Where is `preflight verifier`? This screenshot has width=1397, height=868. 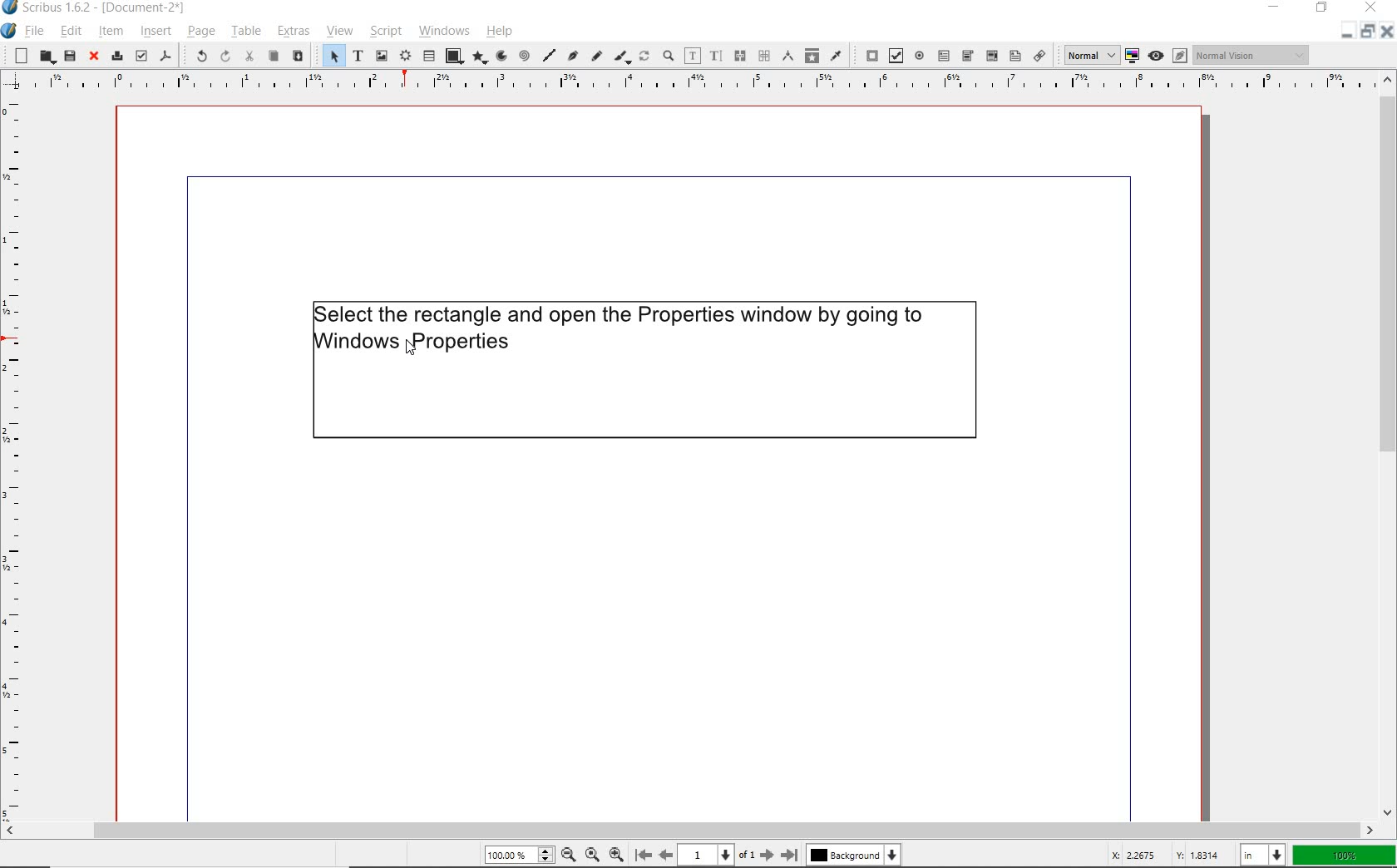
preflight verifier is located at coordinates (141, 56).